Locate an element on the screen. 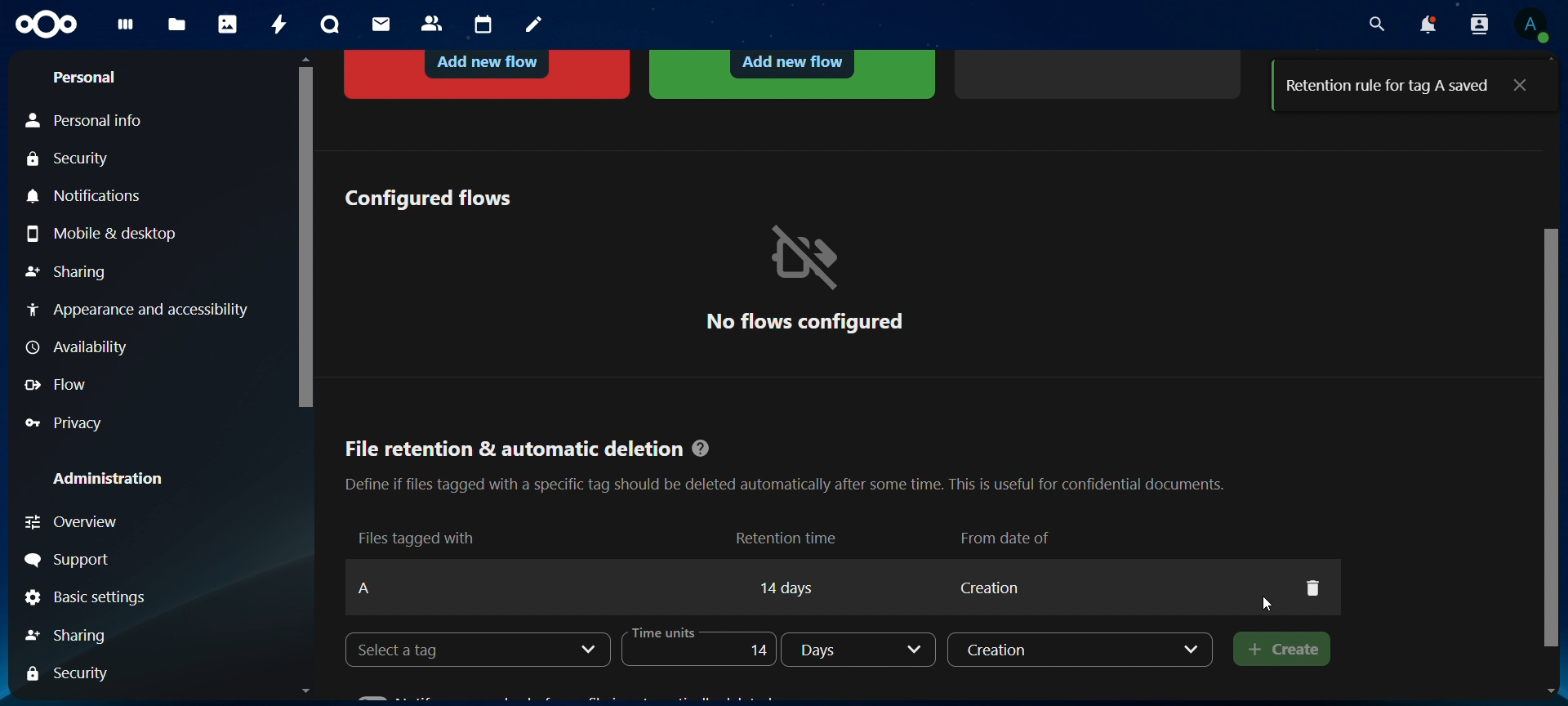 The height and width of the screenshot is (706, 1568). File retention & automatic deletion @
Define if files tagged with a specific tag should be deleted automatically after some time. This is useful for confidential documents. is located at coordinates (784, 460).